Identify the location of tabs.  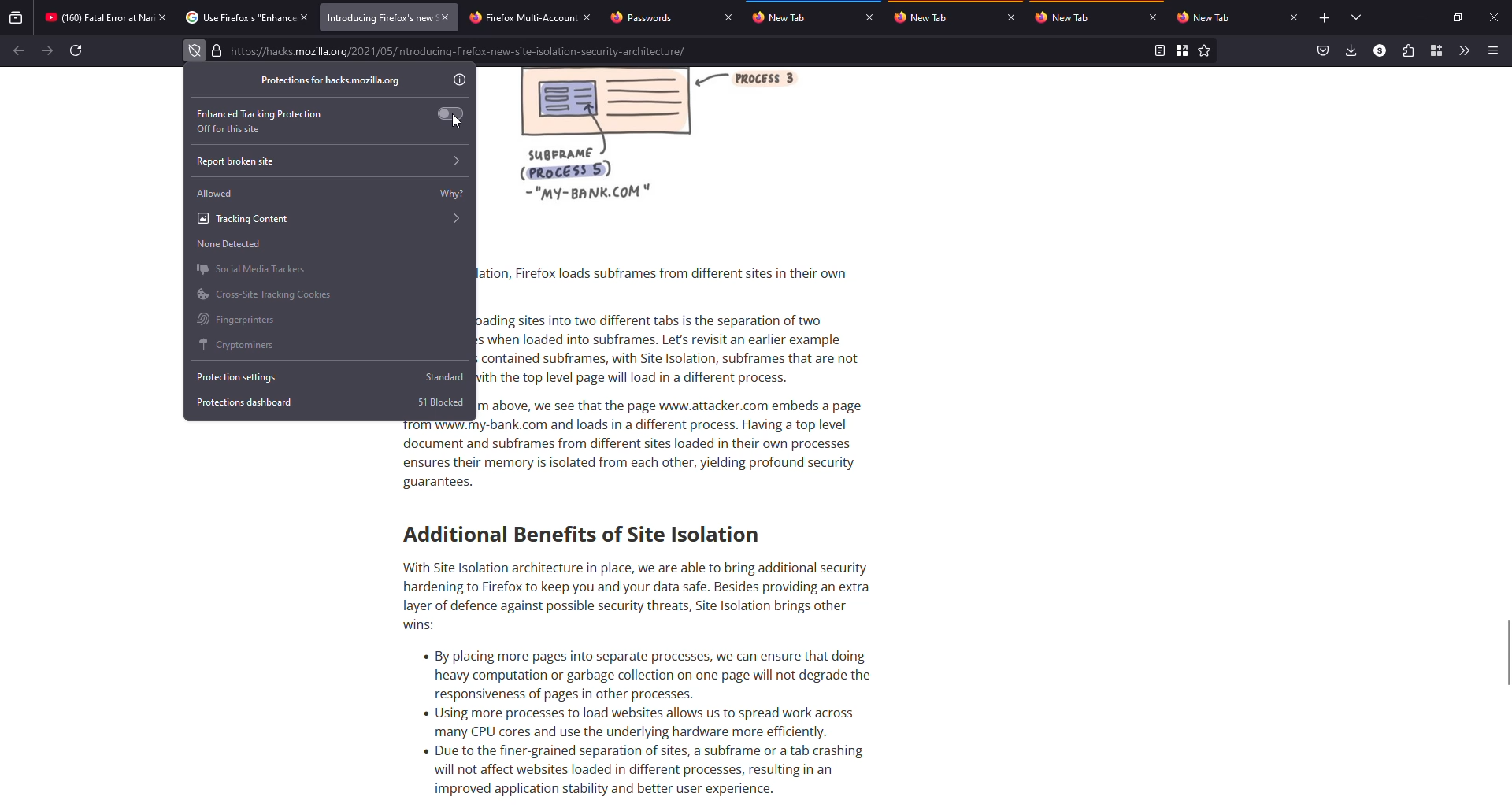
(1358, 18).